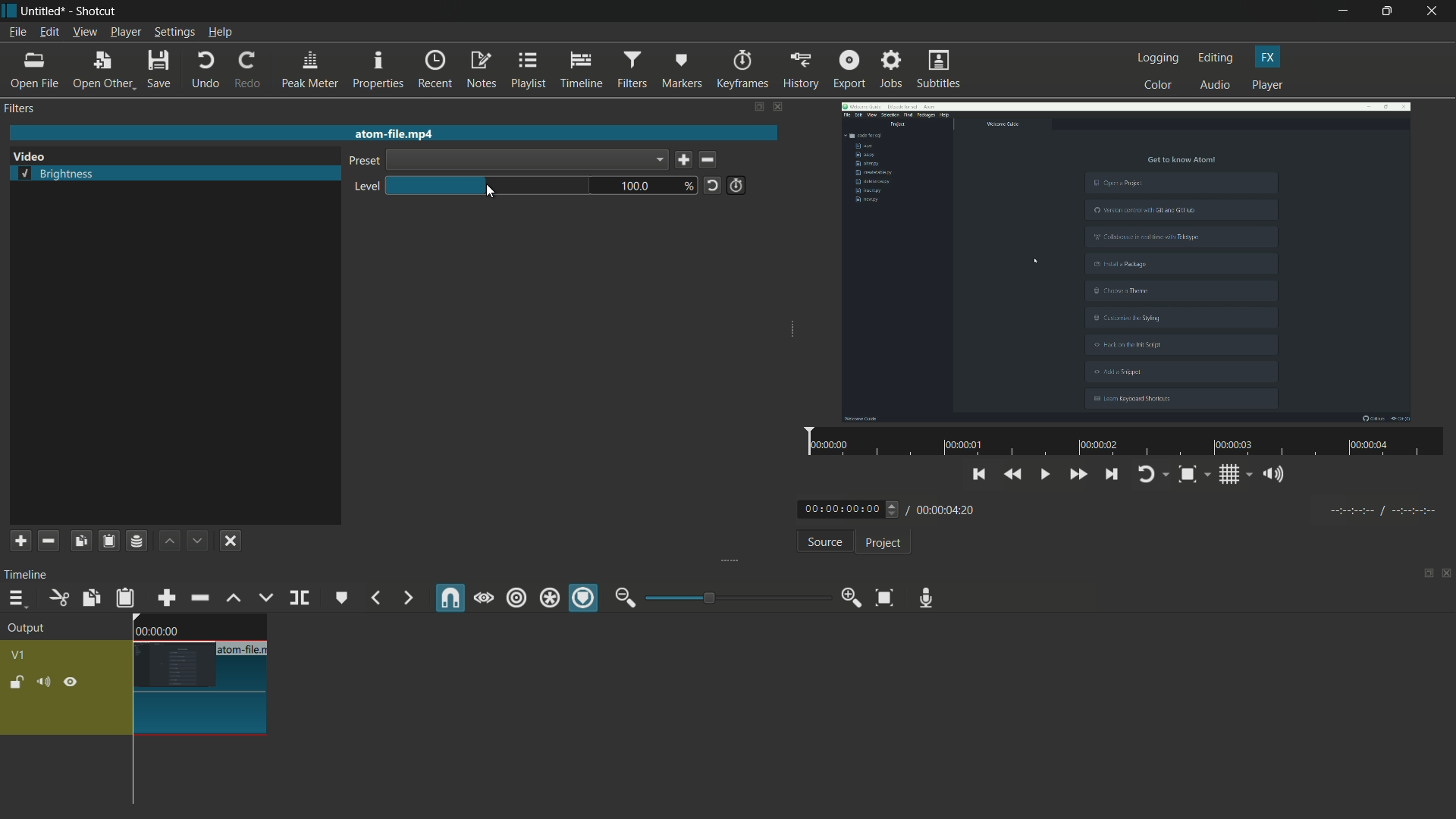 This screenshot has height=819, width=1456. What do you see at coordinates (29, 574) in the screenshot?
I see `timeline` at bounding box center [29, 574].